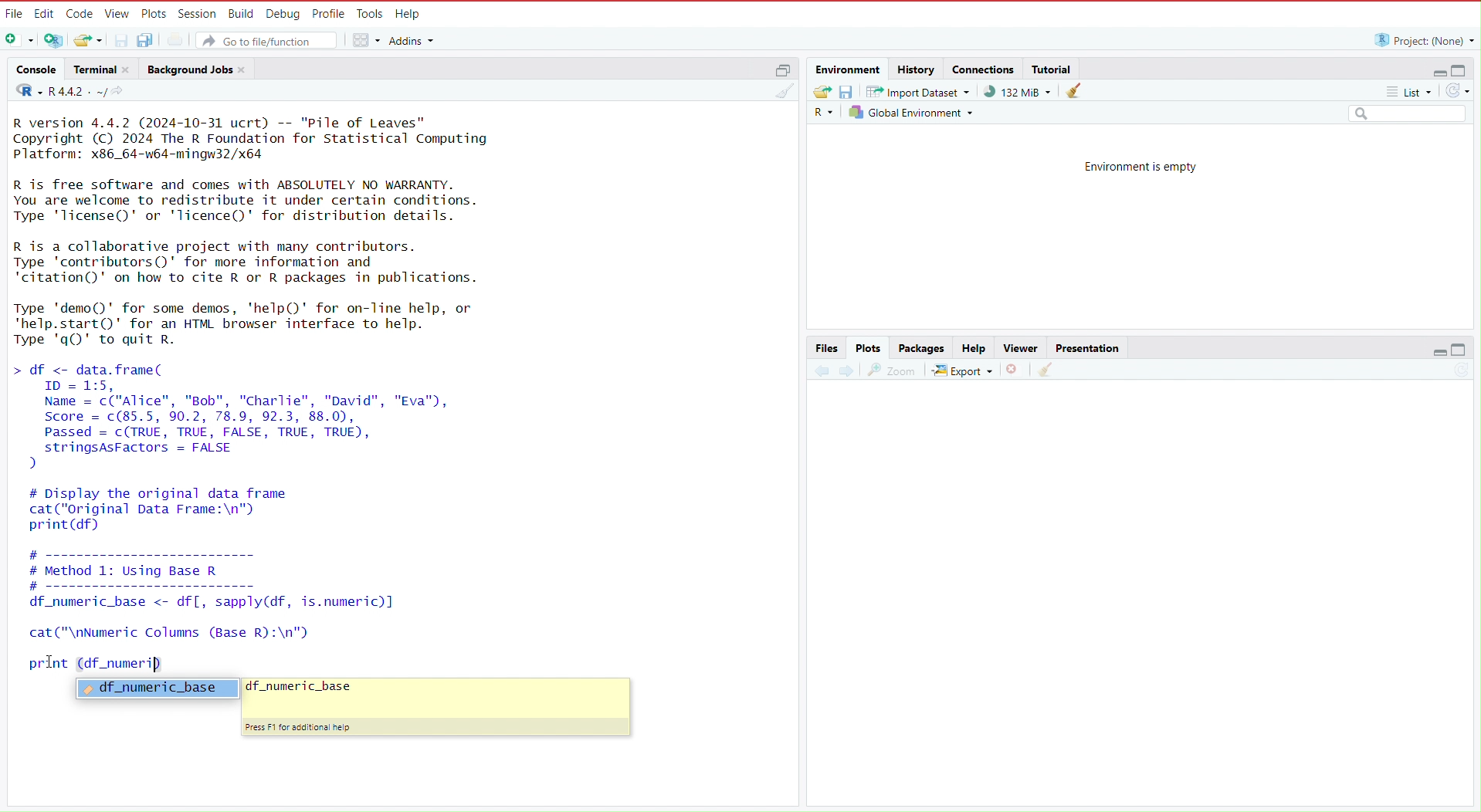  I want to click on df_numeric_base, so click(158, 687).